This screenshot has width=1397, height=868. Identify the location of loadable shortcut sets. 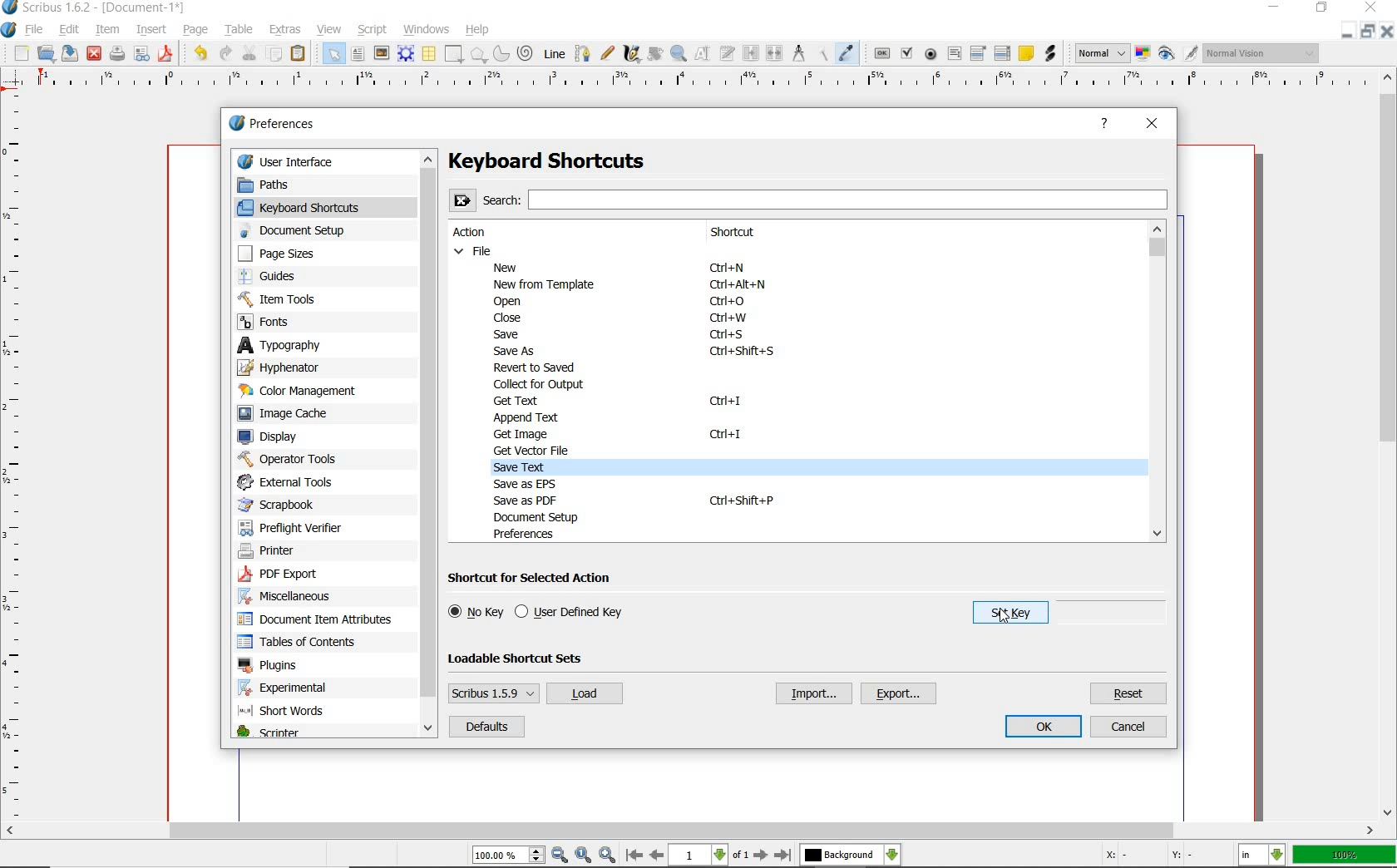
(529, 658).